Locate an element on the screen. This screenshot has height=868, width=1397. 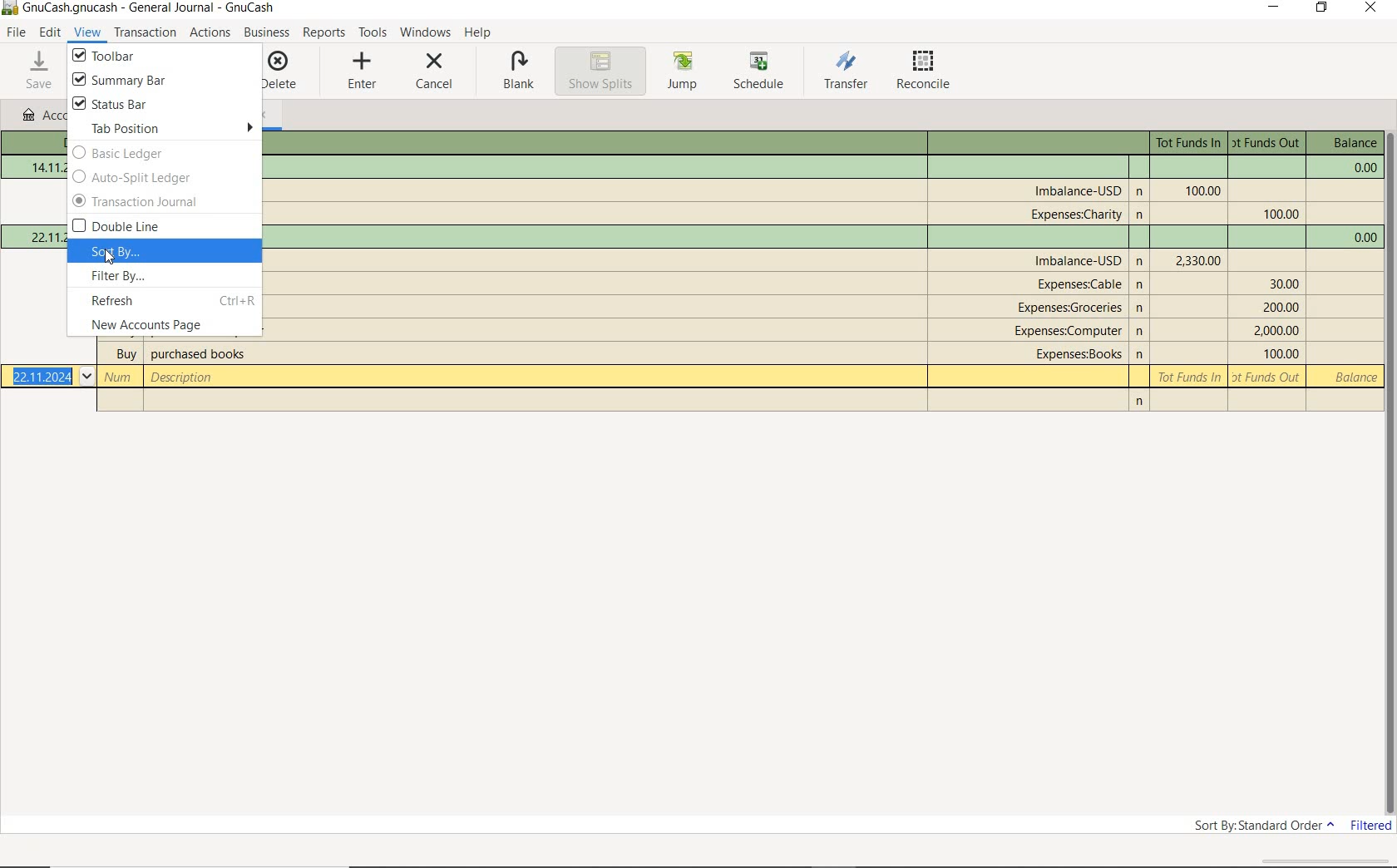
REPORTS is located at coordinates (325, 33).